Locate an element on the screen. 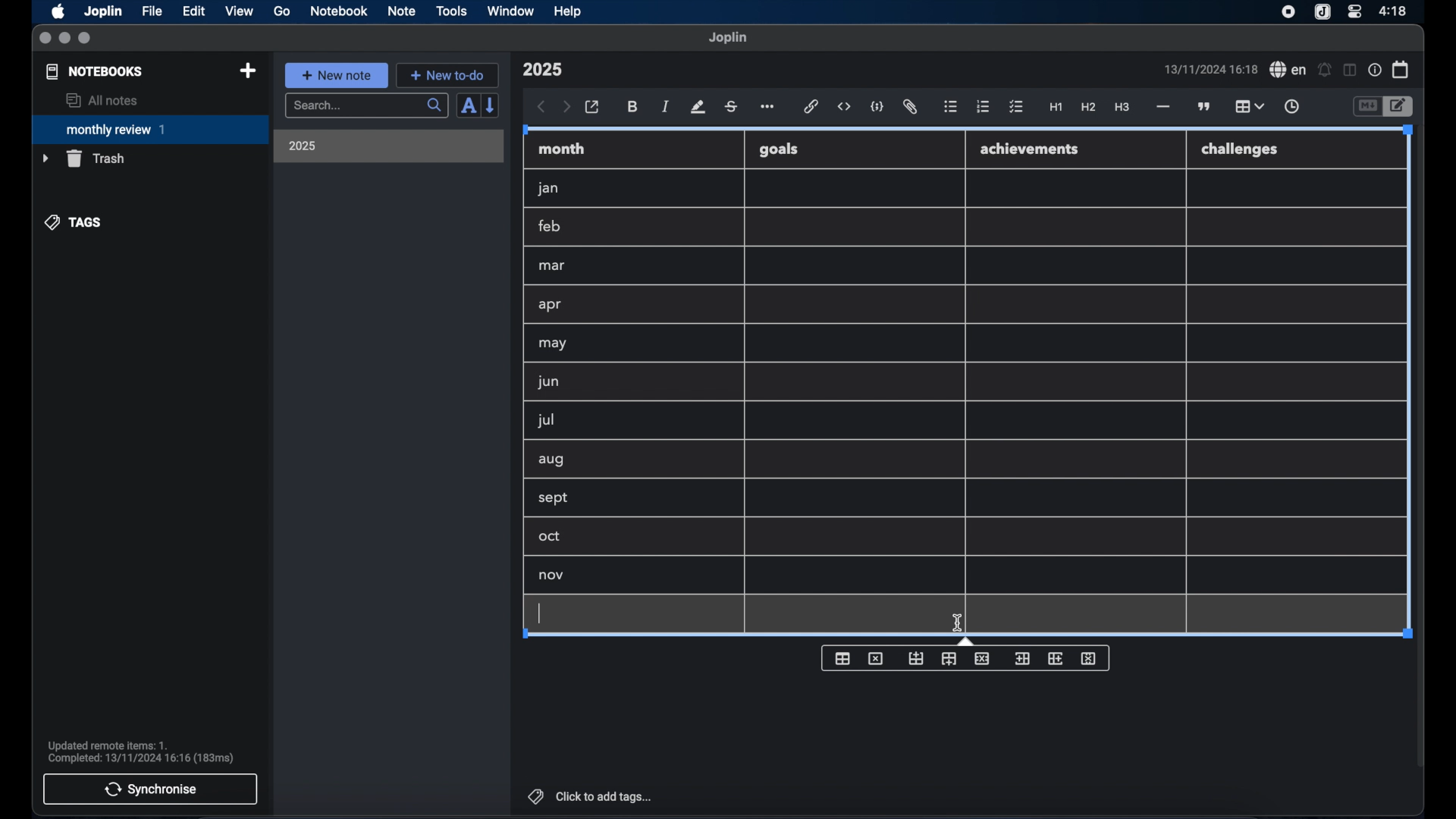 The height and width of the screenshot is (819, 1456). code is located at coordinates (877, 108).